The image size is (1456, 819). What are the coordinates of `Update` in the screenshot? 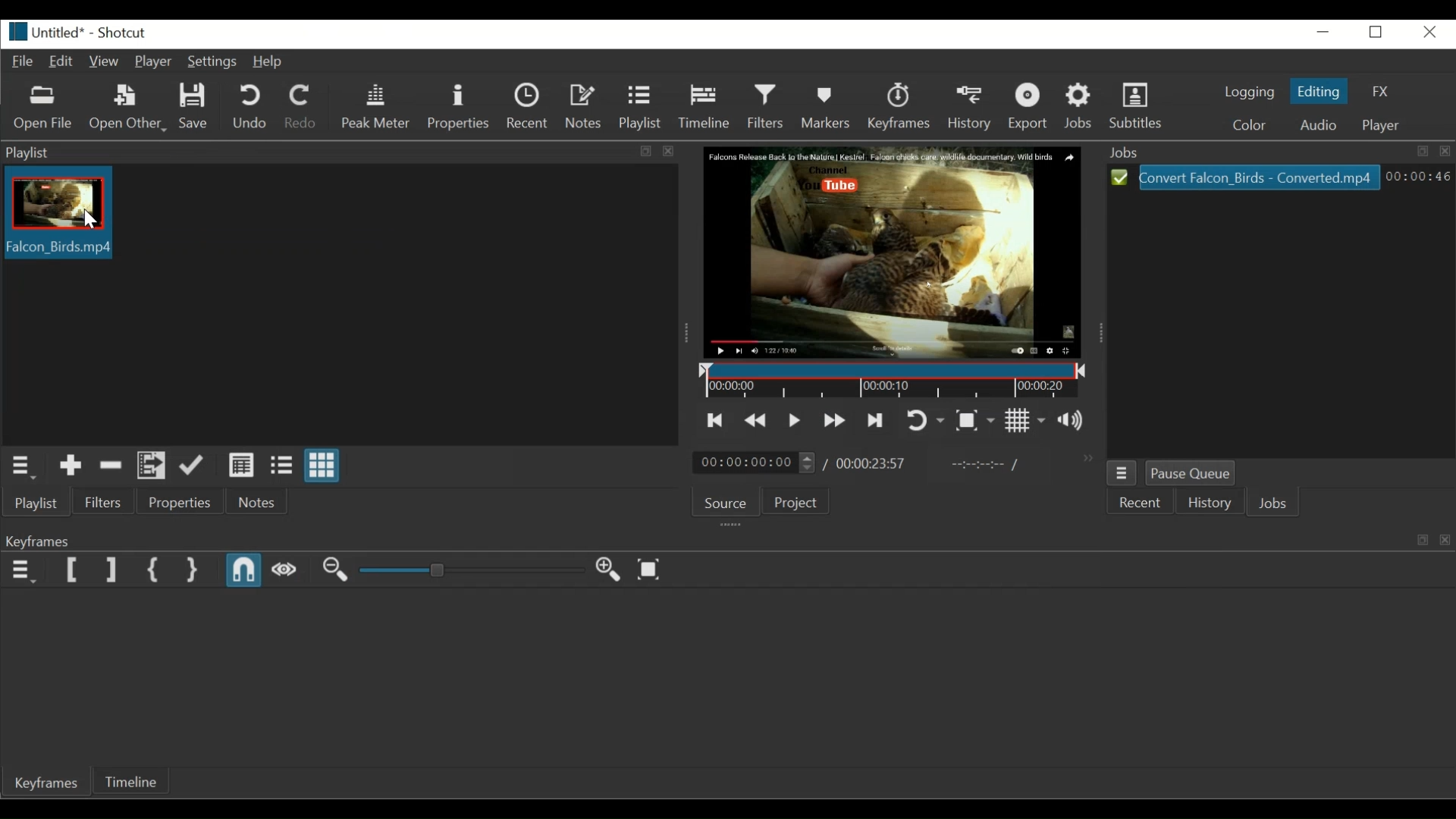 It's located at (193, 469).